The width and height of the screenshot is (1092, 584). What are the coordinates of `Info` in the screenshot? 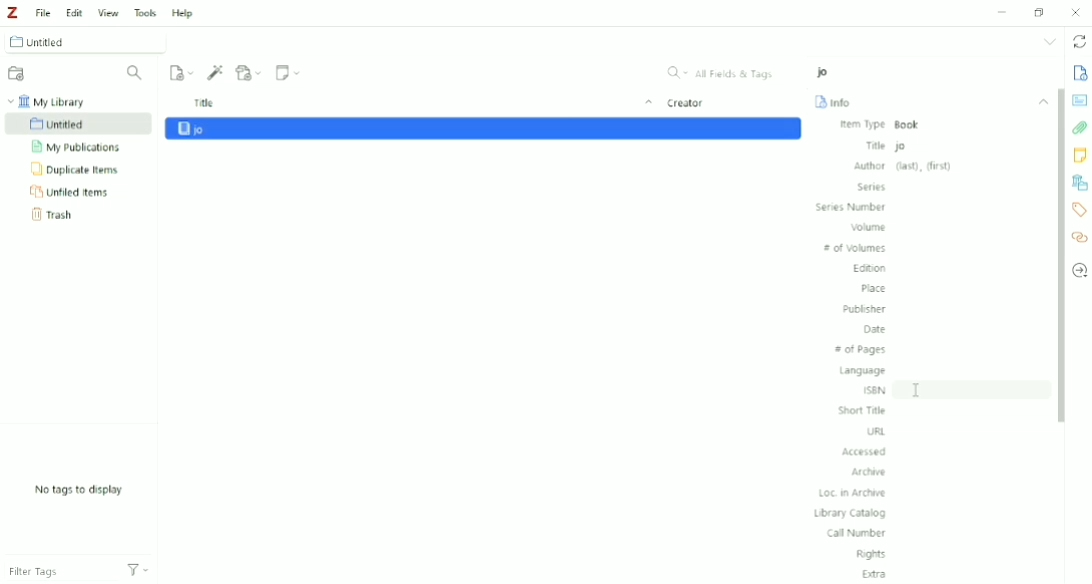 It's located at (1078, 74).